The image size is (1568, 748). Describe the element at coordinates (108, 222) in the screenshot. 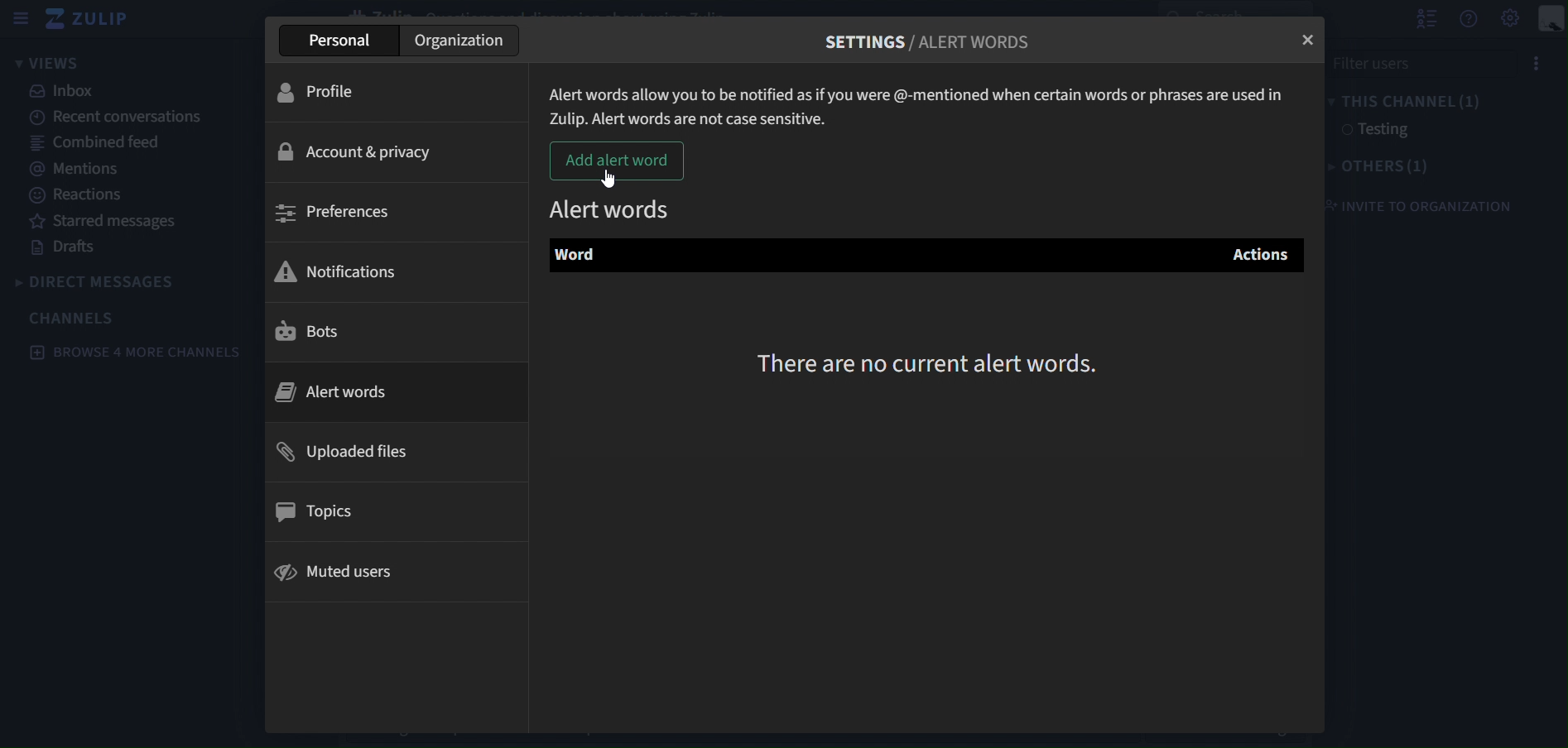

I see `starredmessages` at that location.